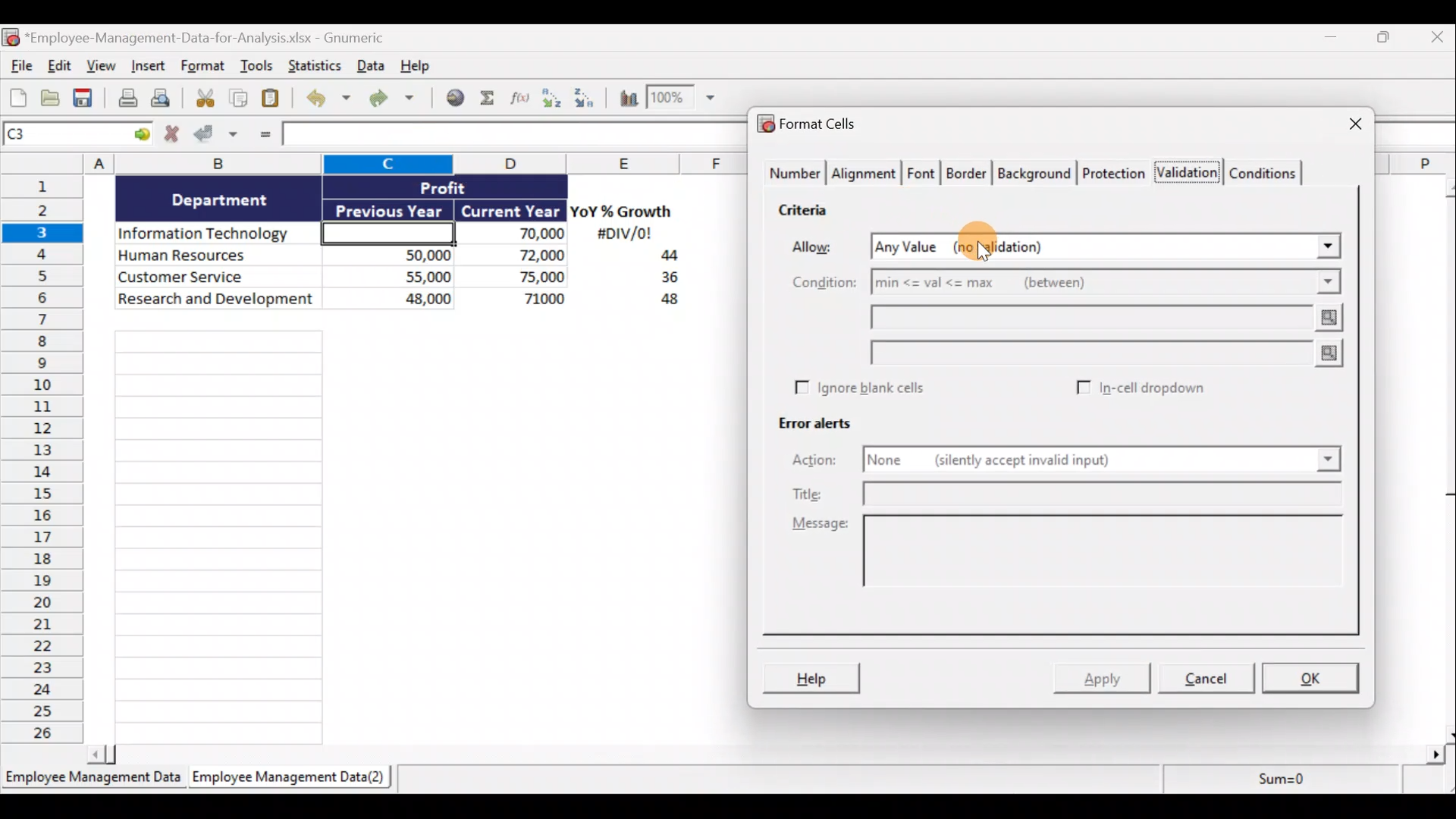  I want to click on Accept changes, so click(218, 136).